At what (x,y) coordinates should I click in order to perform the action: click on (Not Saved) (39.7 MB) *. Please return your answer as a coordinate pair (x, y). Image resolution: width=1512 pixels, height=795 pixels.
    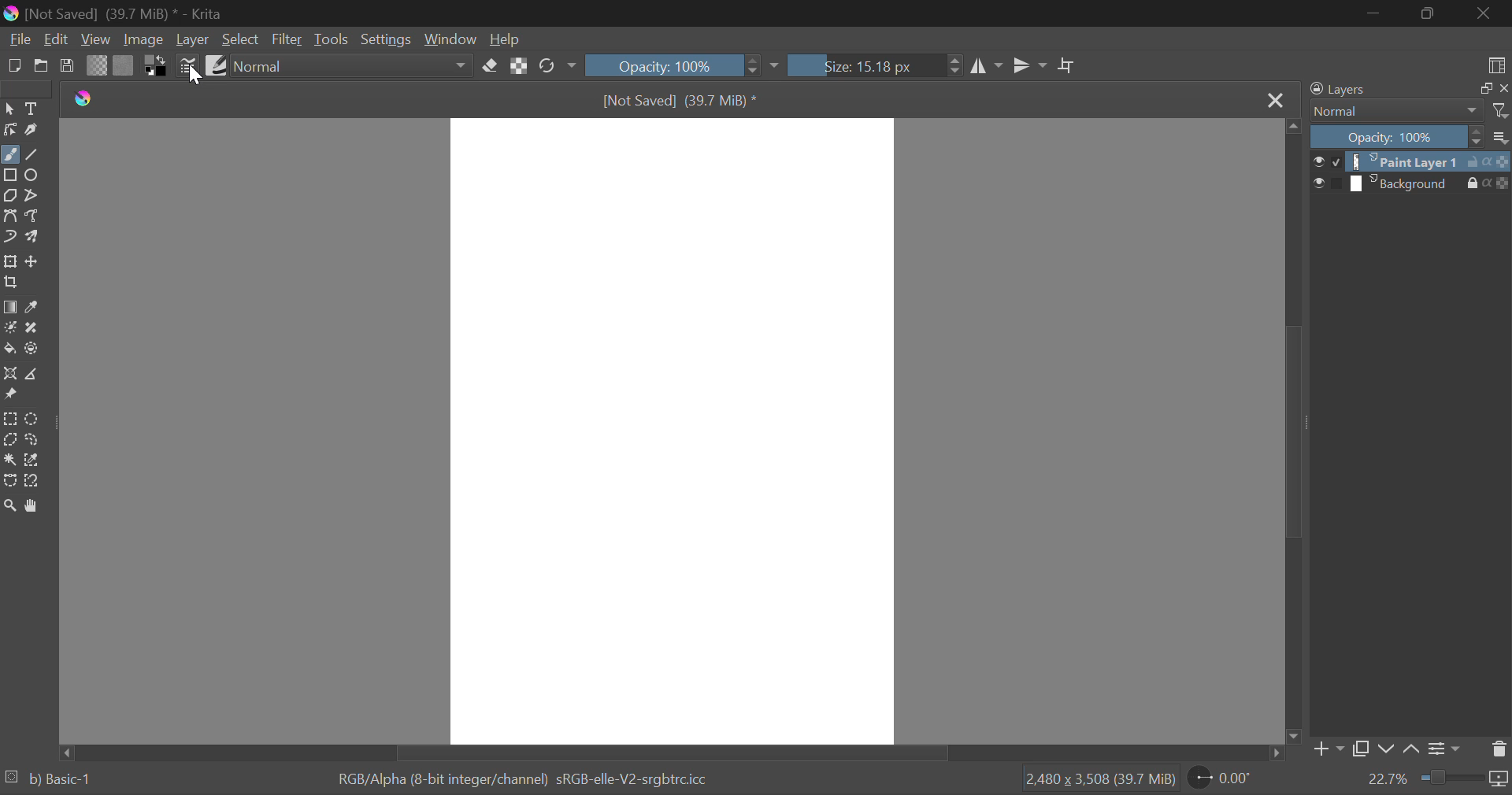
    Looking at the image, I should click on (676, 98).